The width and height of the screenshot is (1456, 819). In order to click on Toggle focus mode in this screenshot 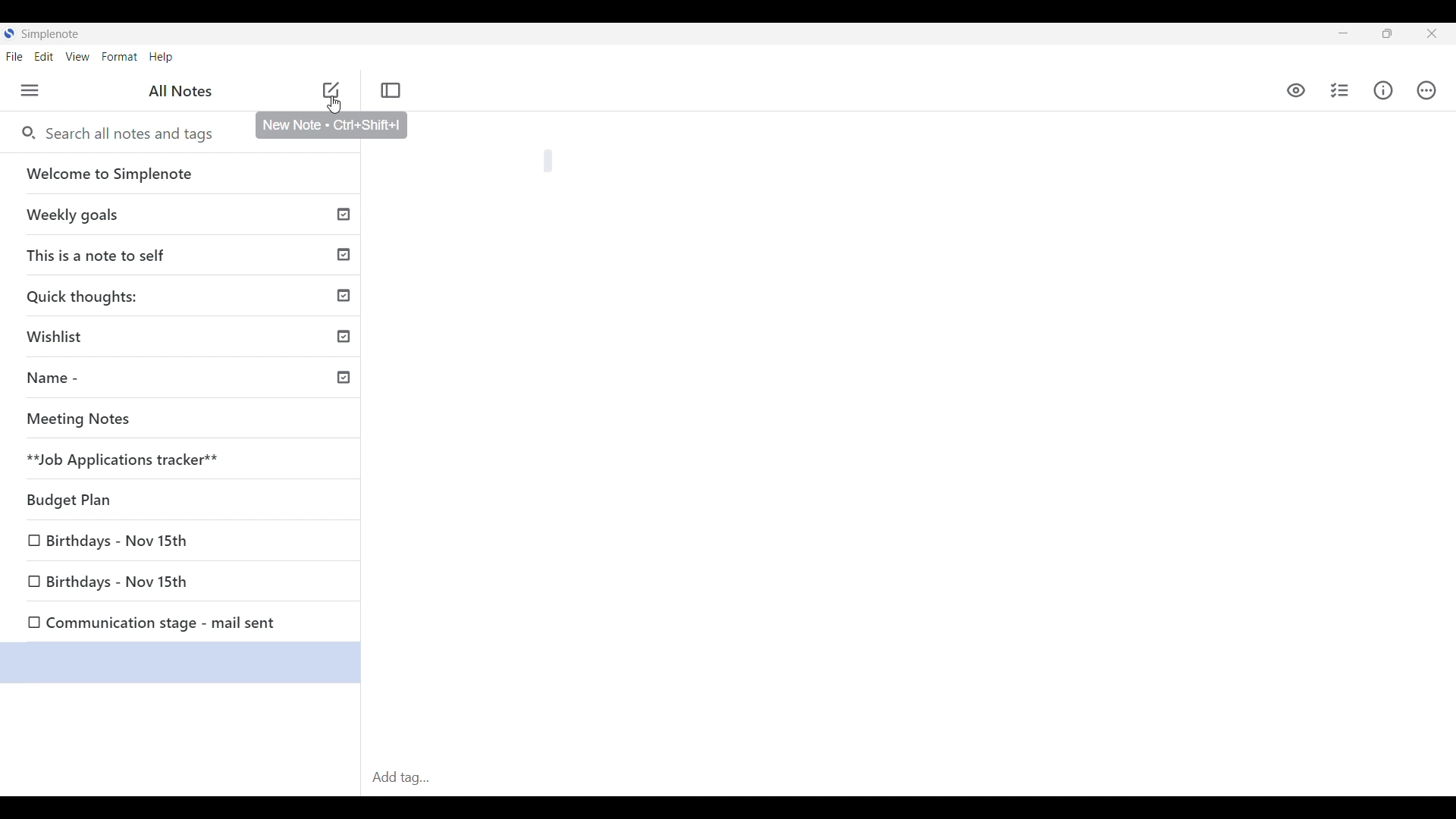, I will do `click(391, 90)`.